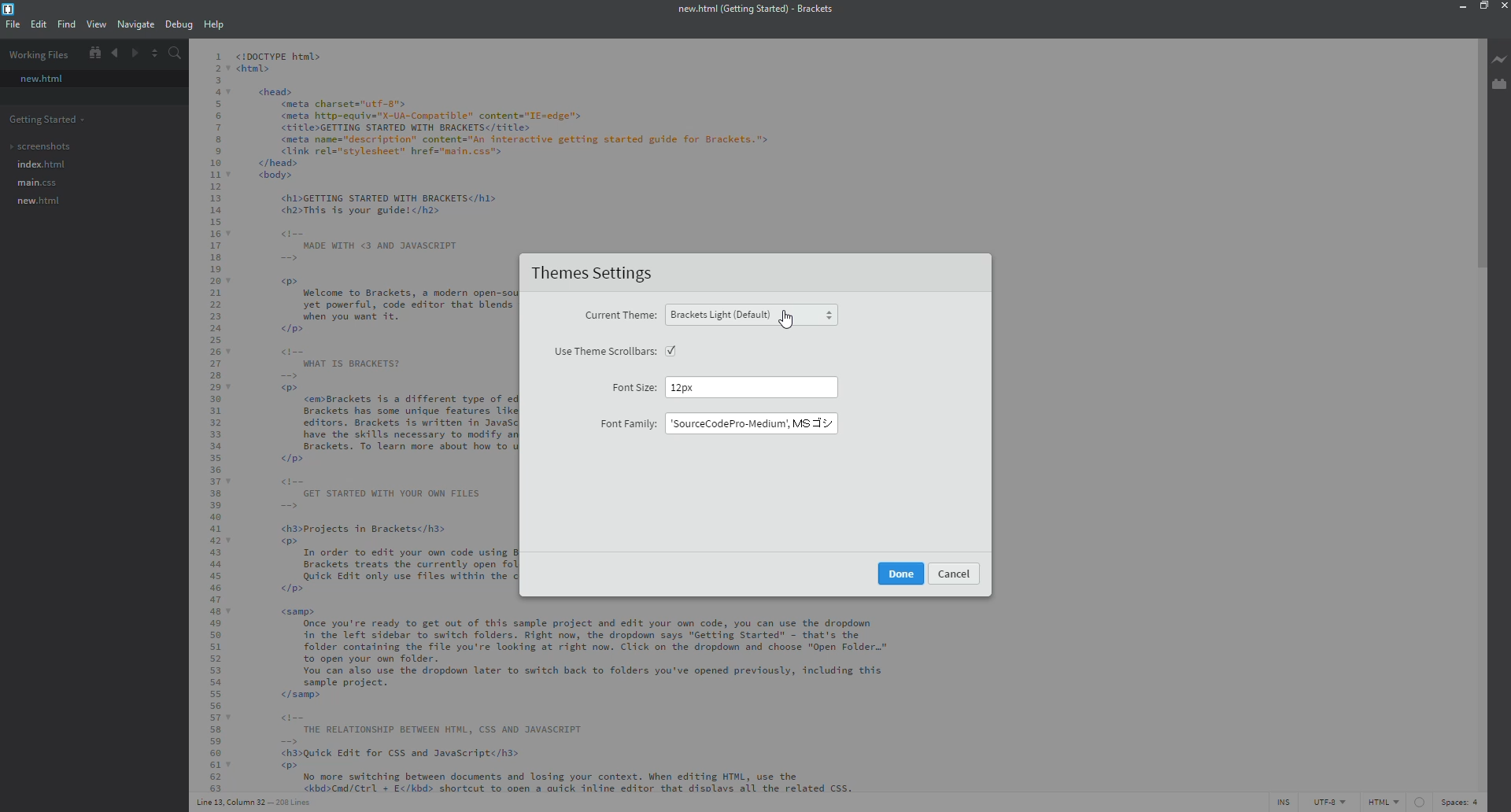 The width and height of the screenshot is (1511, 812). I want to click on , so click(900, 573).